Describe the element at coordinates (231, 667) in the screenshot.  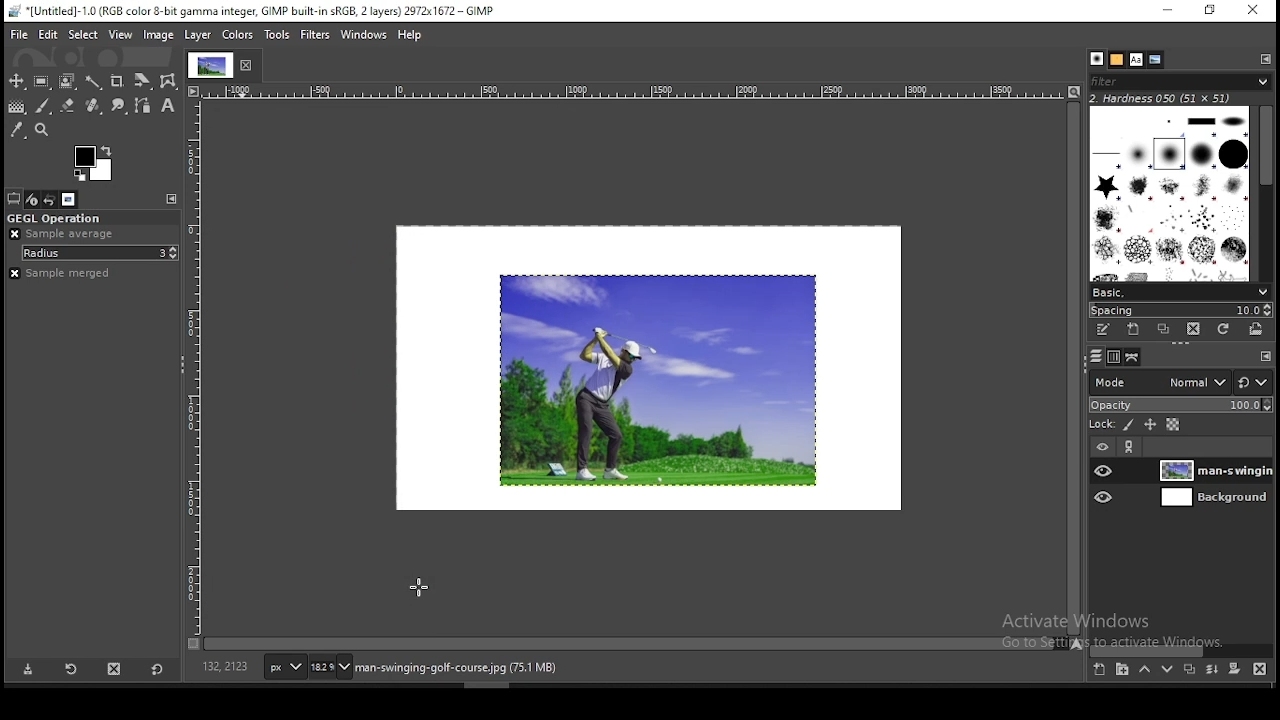
I see `132, 2123` at that location.